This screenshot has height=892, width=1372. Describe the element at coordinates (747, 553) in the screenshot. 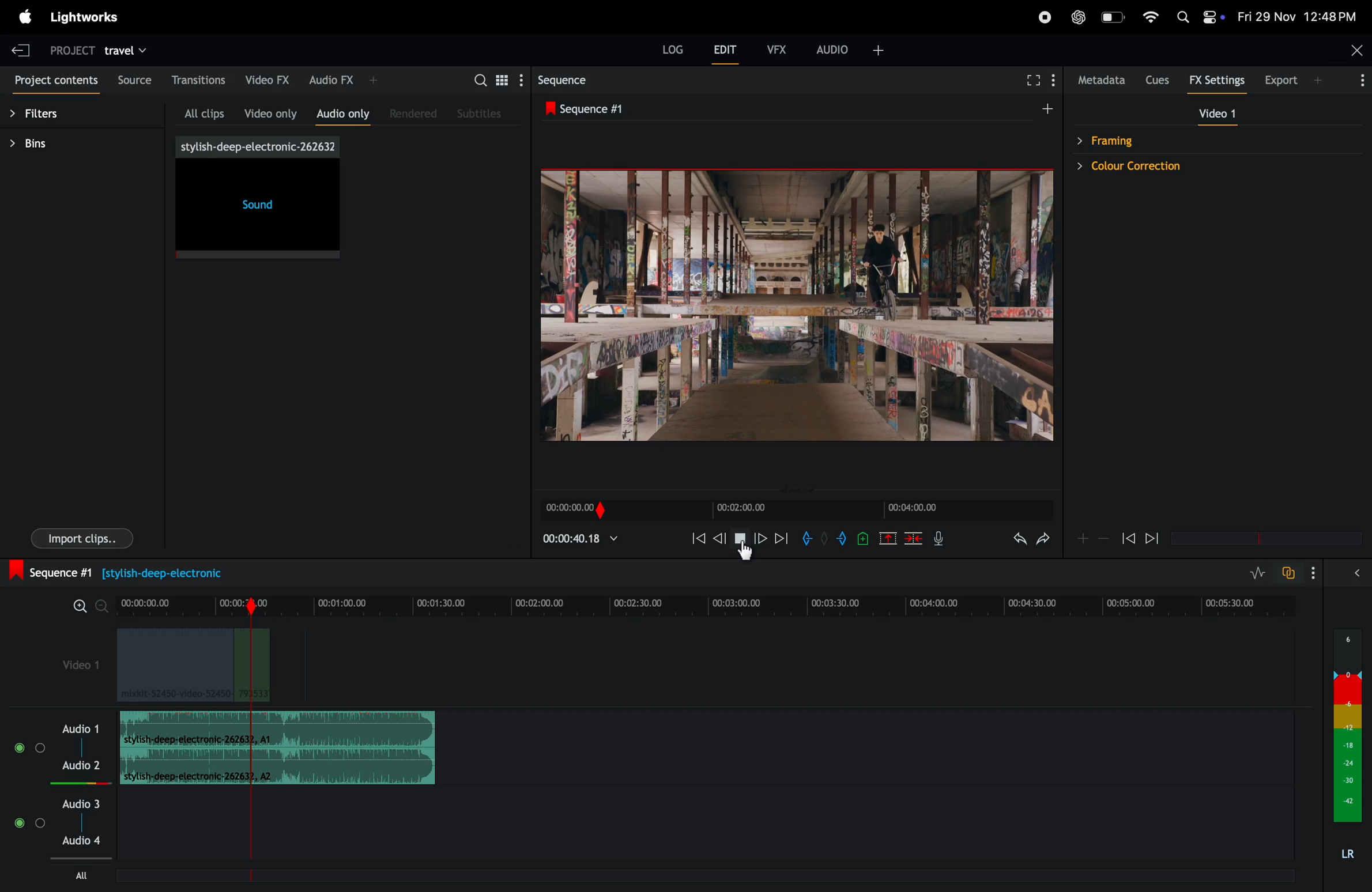

I see `Mouse Cursor` at that location.